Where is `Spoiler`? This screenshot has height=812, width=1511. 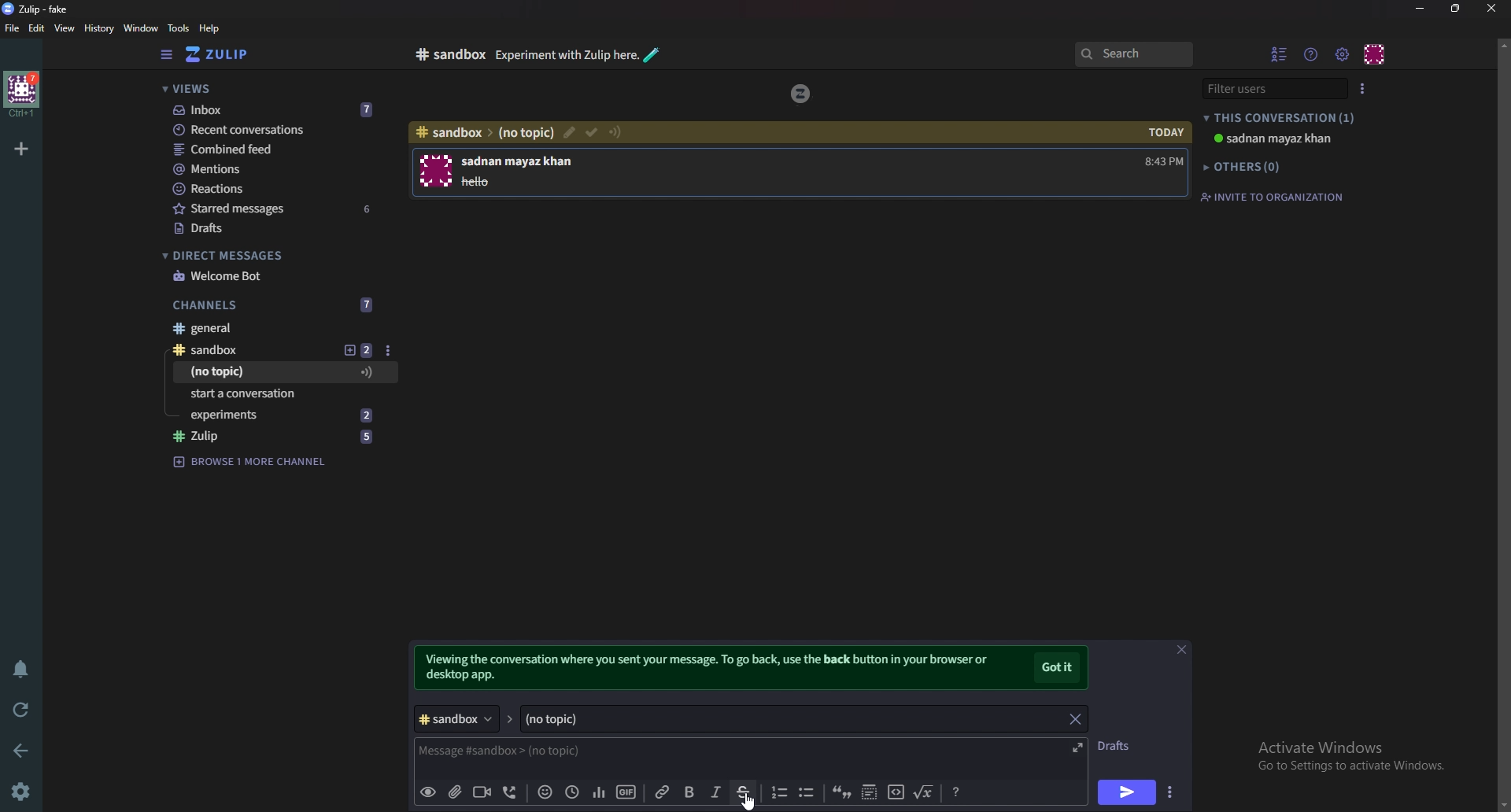 Spoiler is located at coordinates (870, 793).